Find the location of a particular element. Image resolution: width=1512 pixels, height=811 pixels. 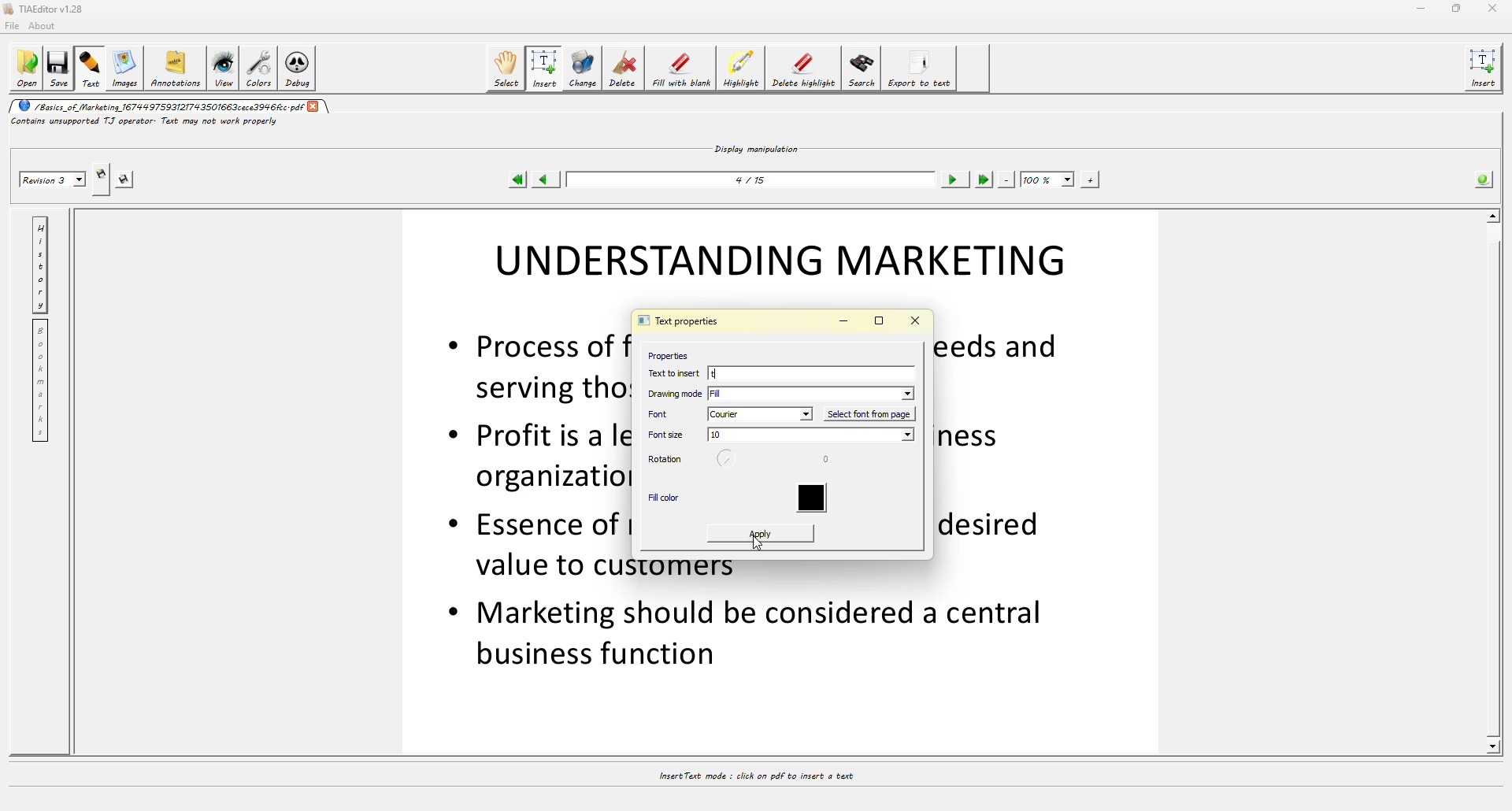

4/15 is located at coordinates (754, 179).